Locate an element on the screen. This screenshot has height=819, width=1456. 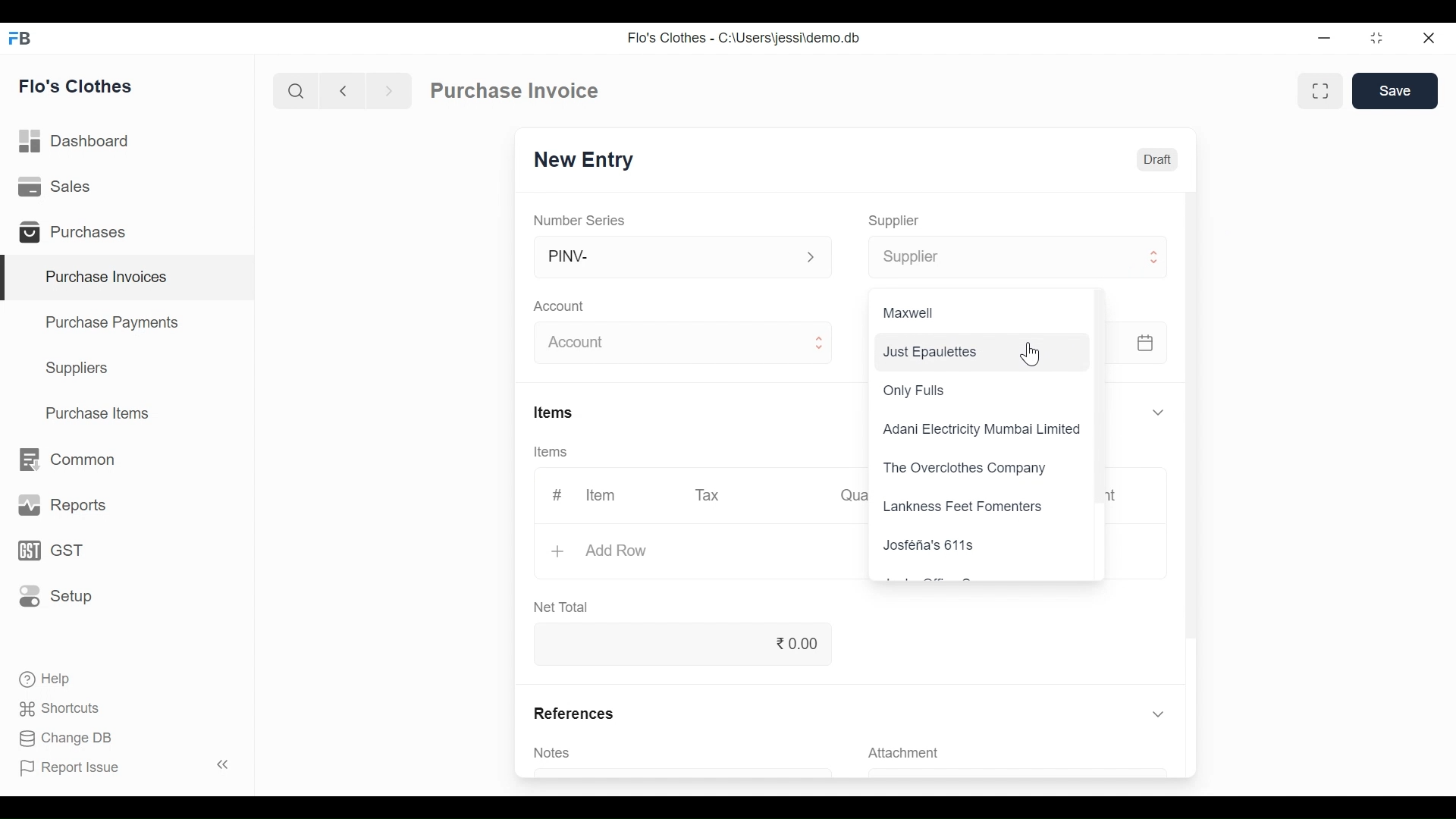
Toggle between form and full width is located at coordinates (1317, 93).